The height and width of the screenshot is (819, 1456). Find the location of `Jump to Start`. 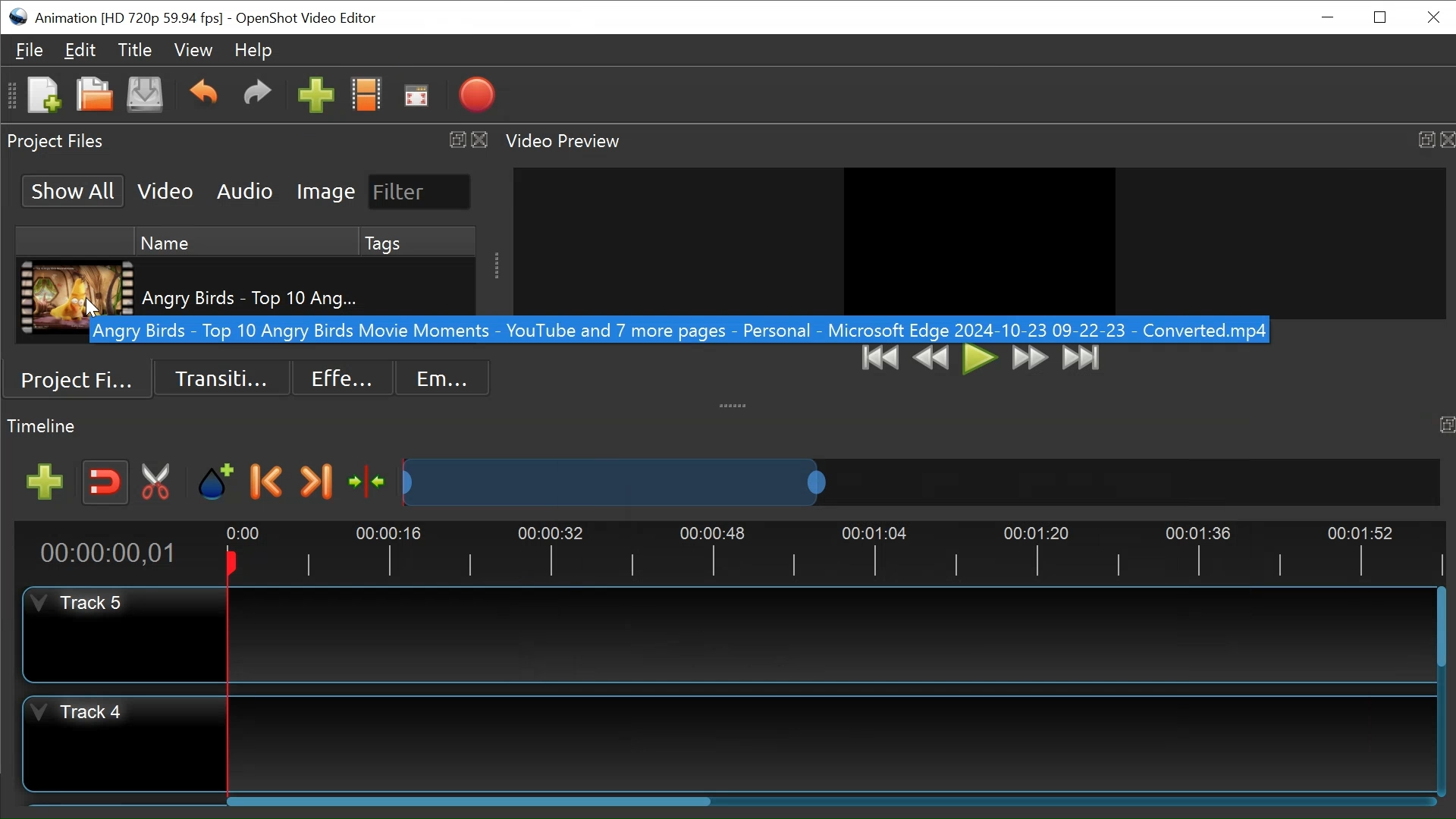

Jump to Start is located at coordinates (882, 359).